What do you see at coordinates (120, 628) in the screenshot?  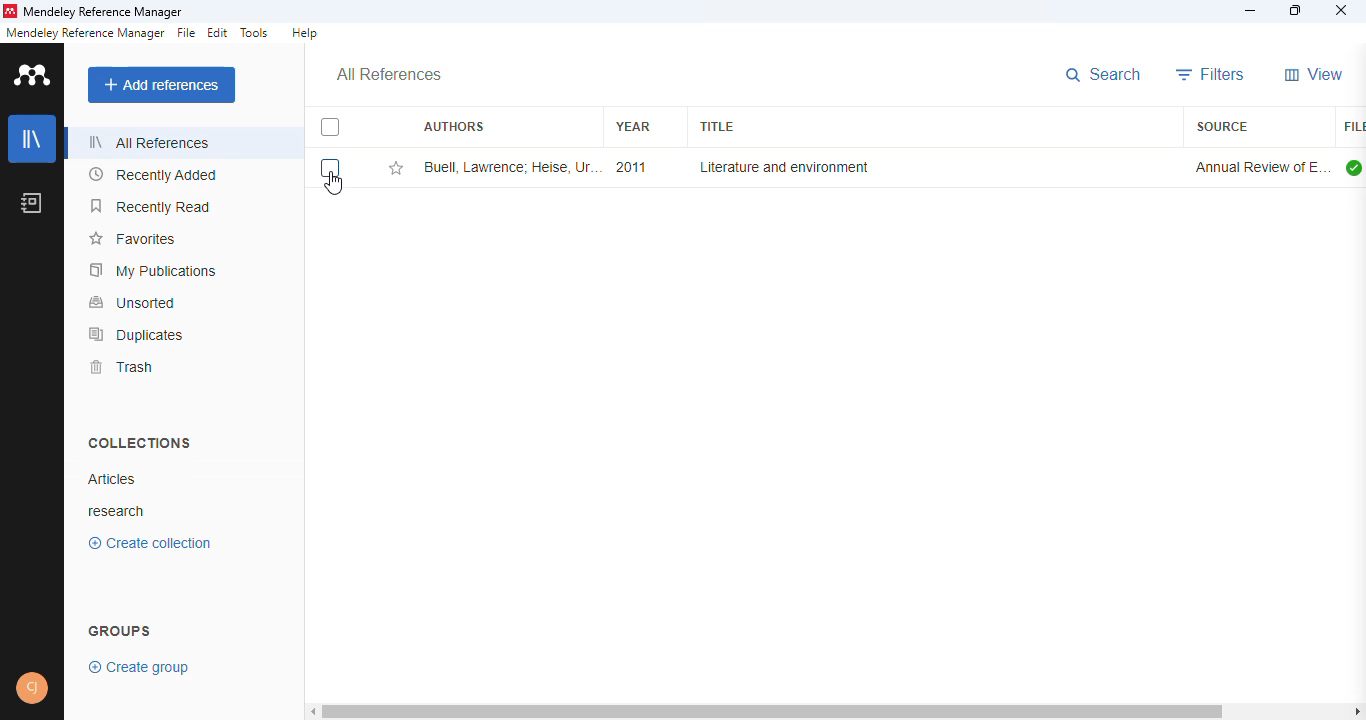 I see `groups` at bounding box center [120, 628].